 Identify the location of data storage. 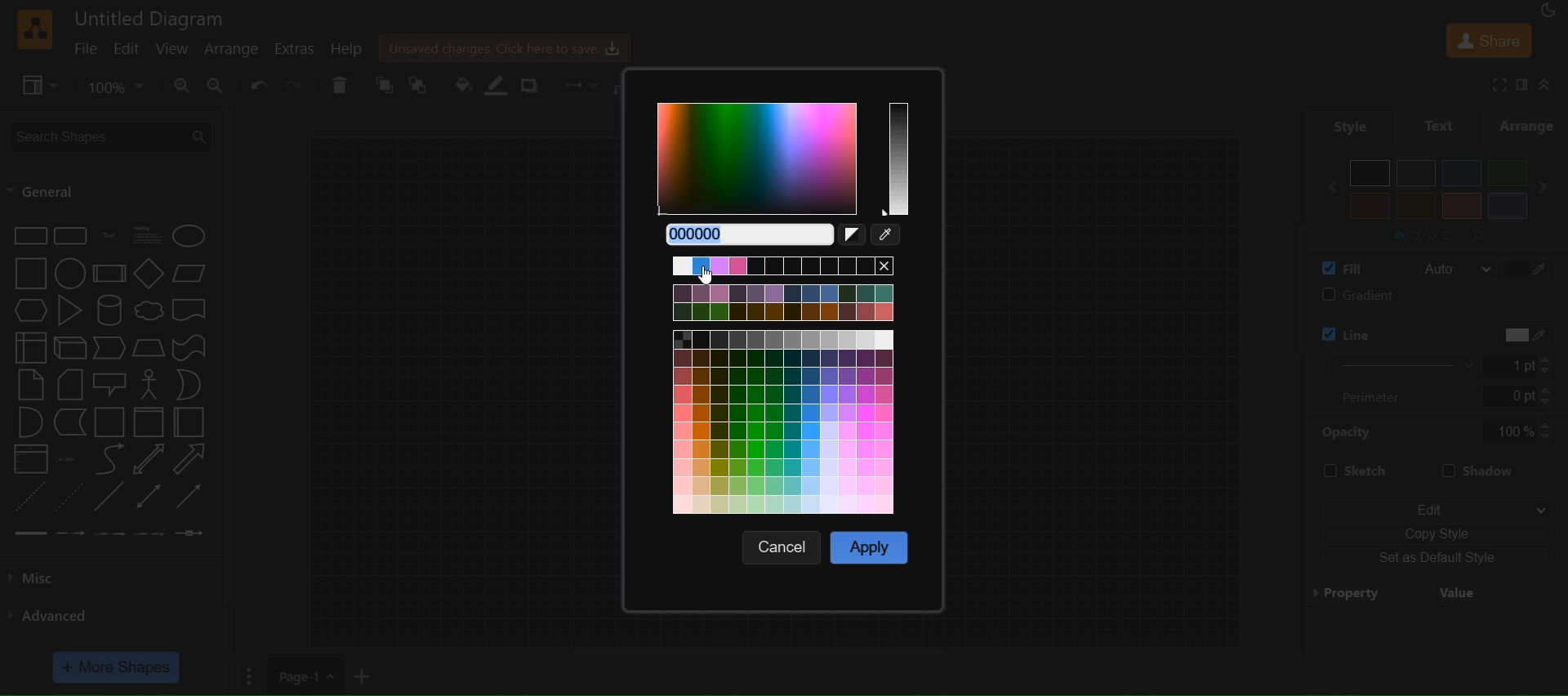
(72, 422).